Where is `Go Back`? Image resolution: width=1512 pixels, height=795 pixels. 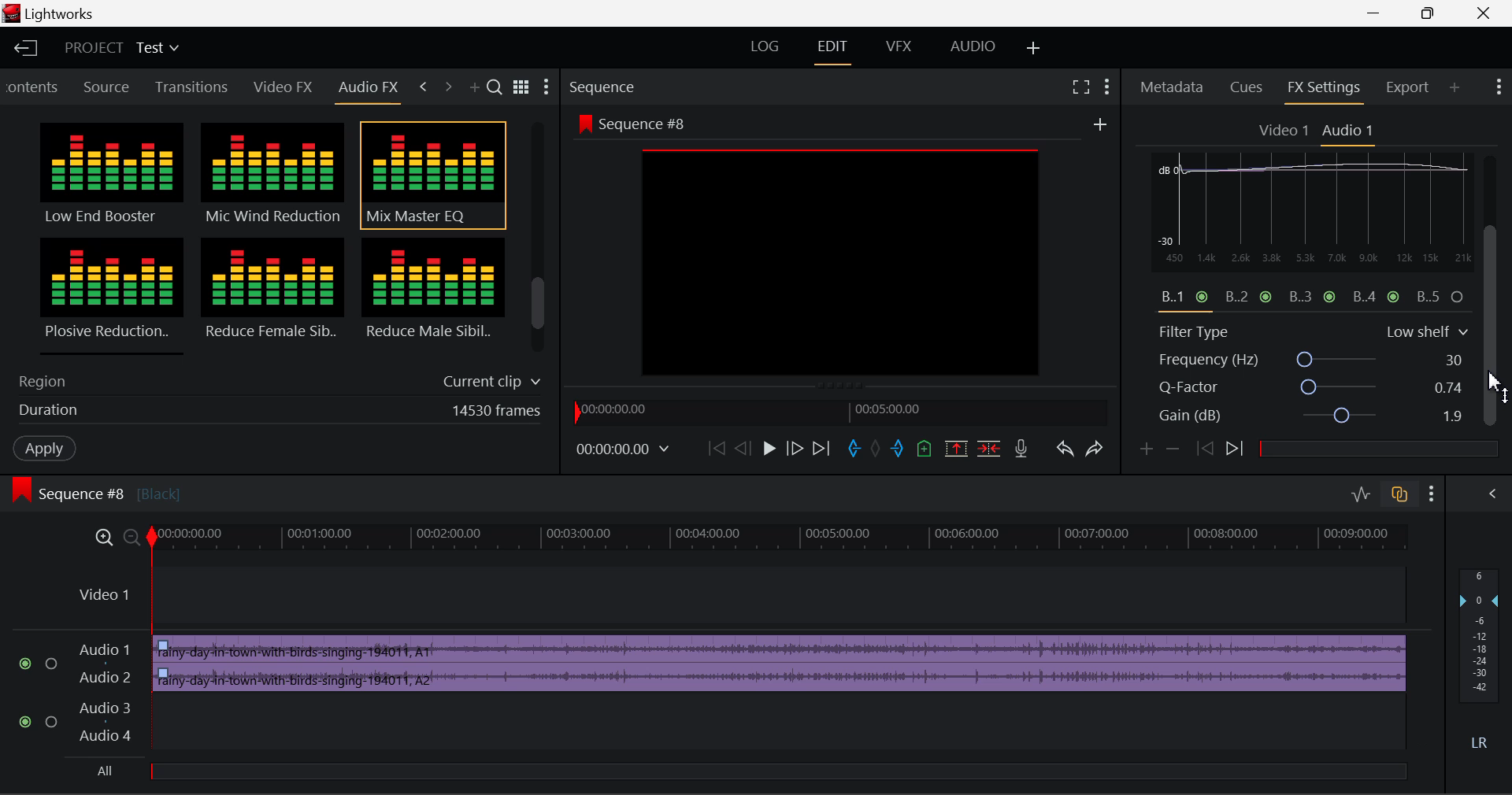
Go Back is located at coordinates (743, 449).